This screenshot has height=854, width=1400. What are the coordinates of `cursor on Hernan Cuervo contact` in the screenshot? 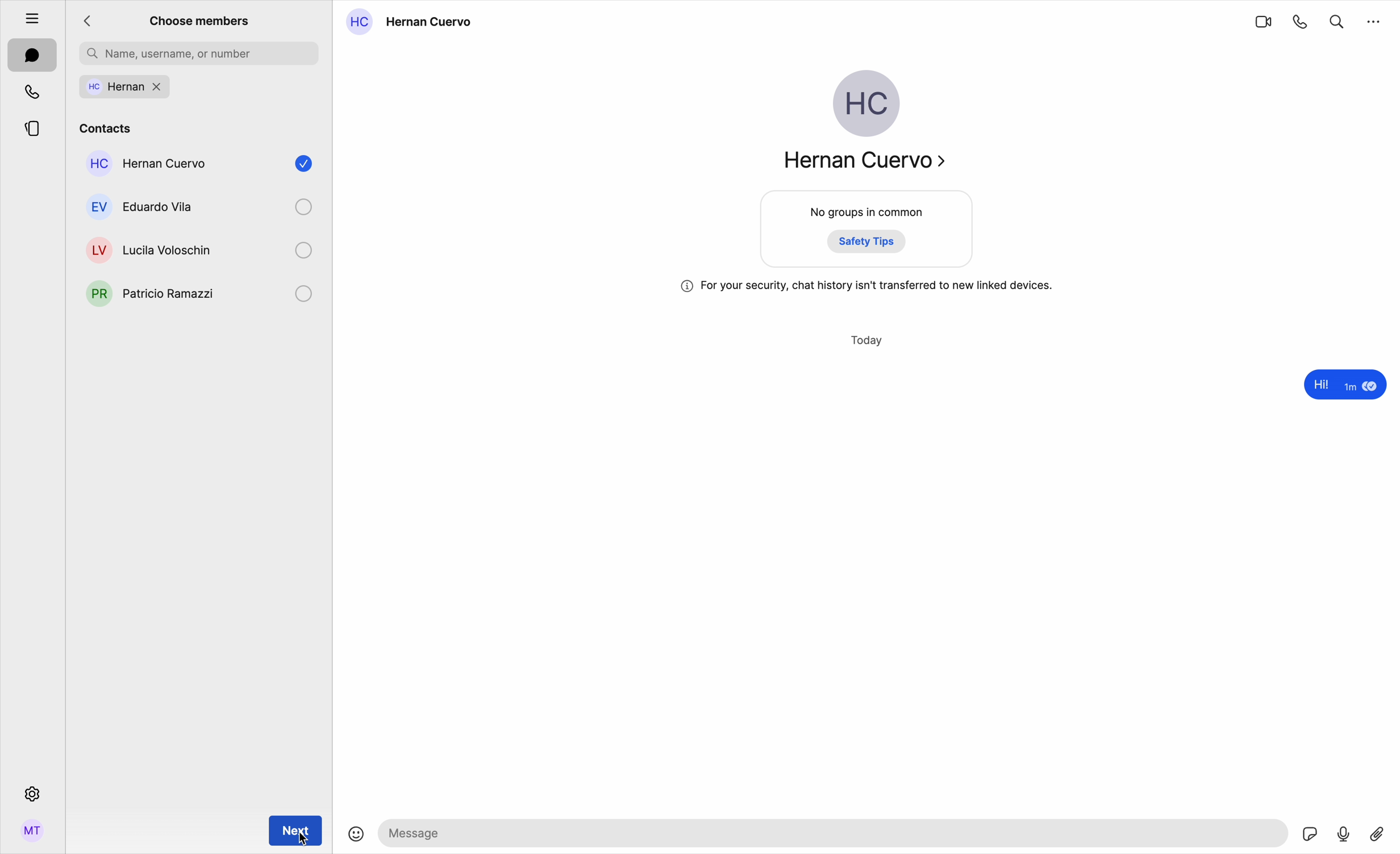 It's located at (201, 130).